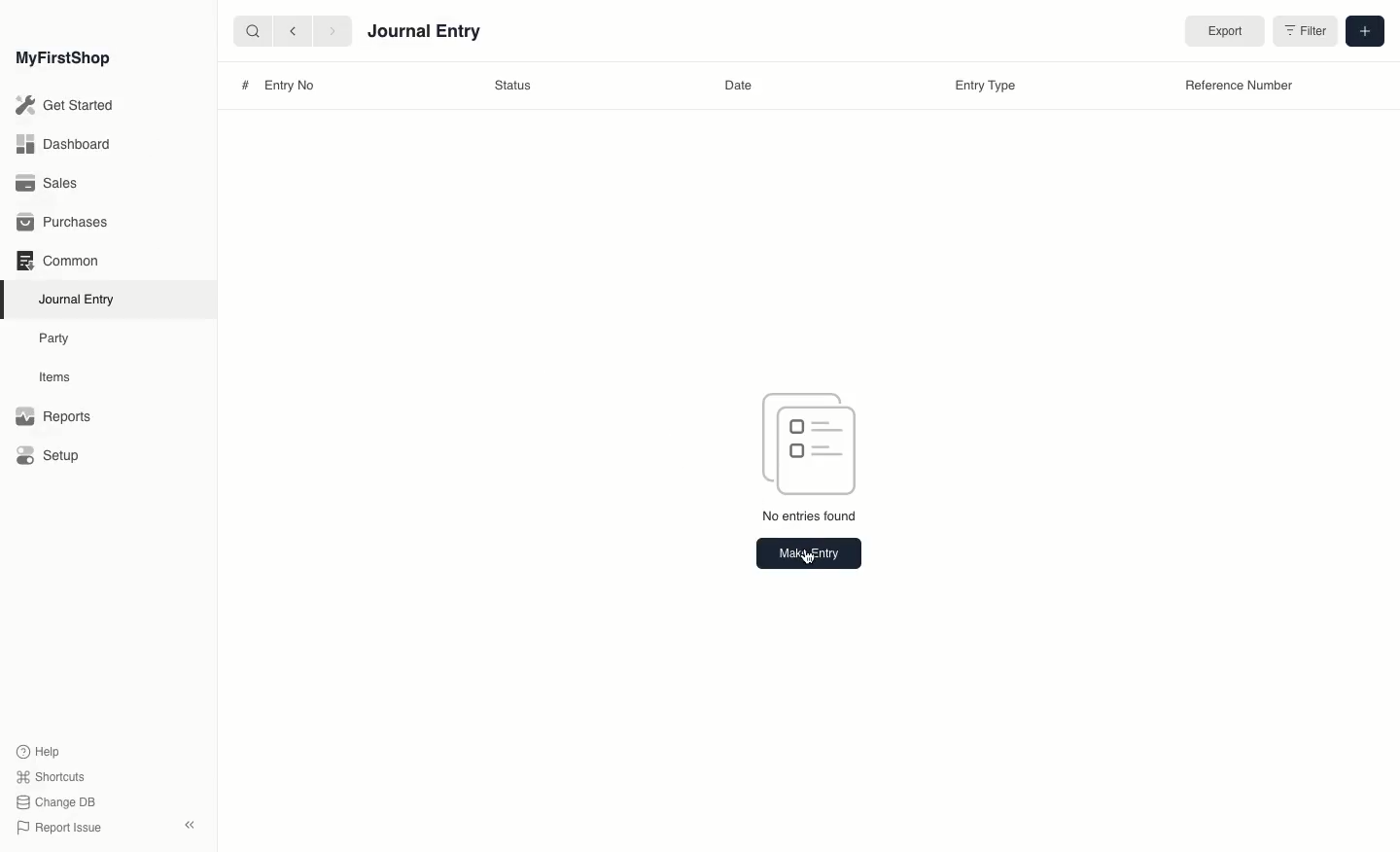 The image size is (1400, 852). What do you see at coordinates (328, 30) in the screenshot?
I see `forward >` at bounding box center [328, 30].